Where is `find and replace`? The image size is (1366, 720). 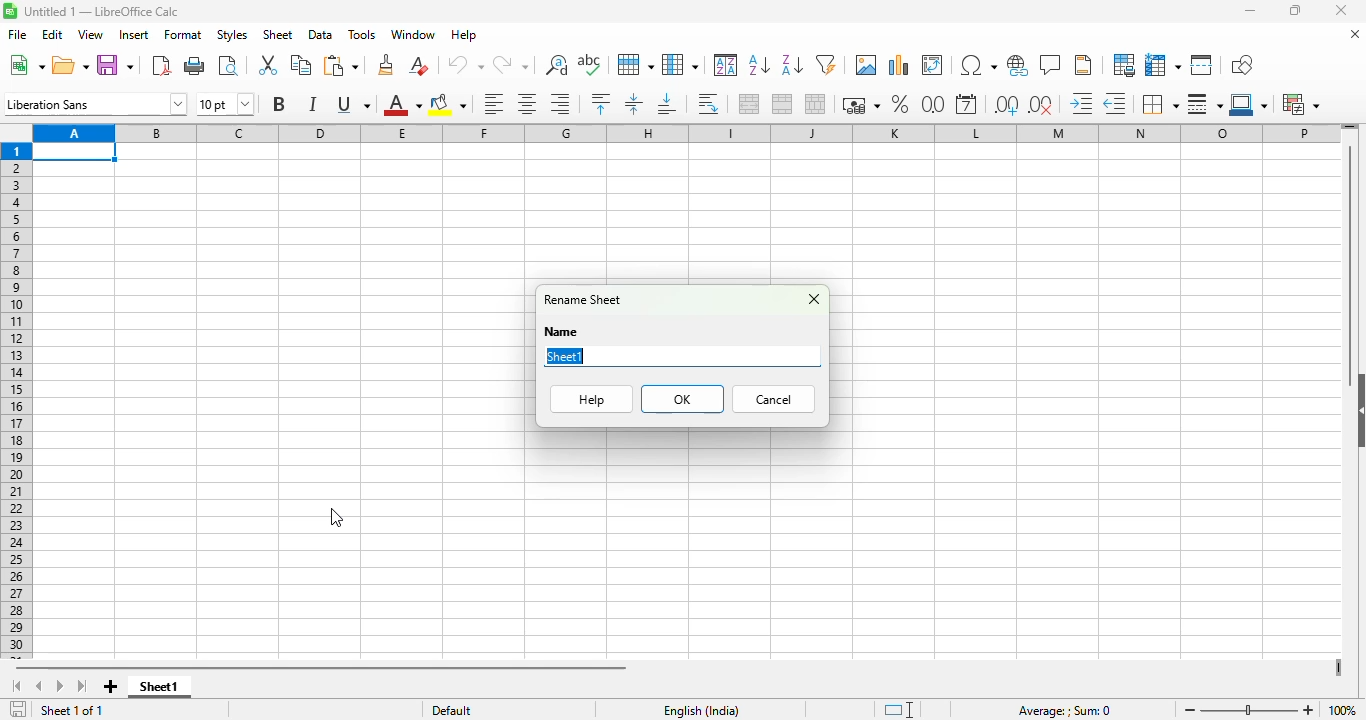 find and replace is located at coordinates (556, 65).